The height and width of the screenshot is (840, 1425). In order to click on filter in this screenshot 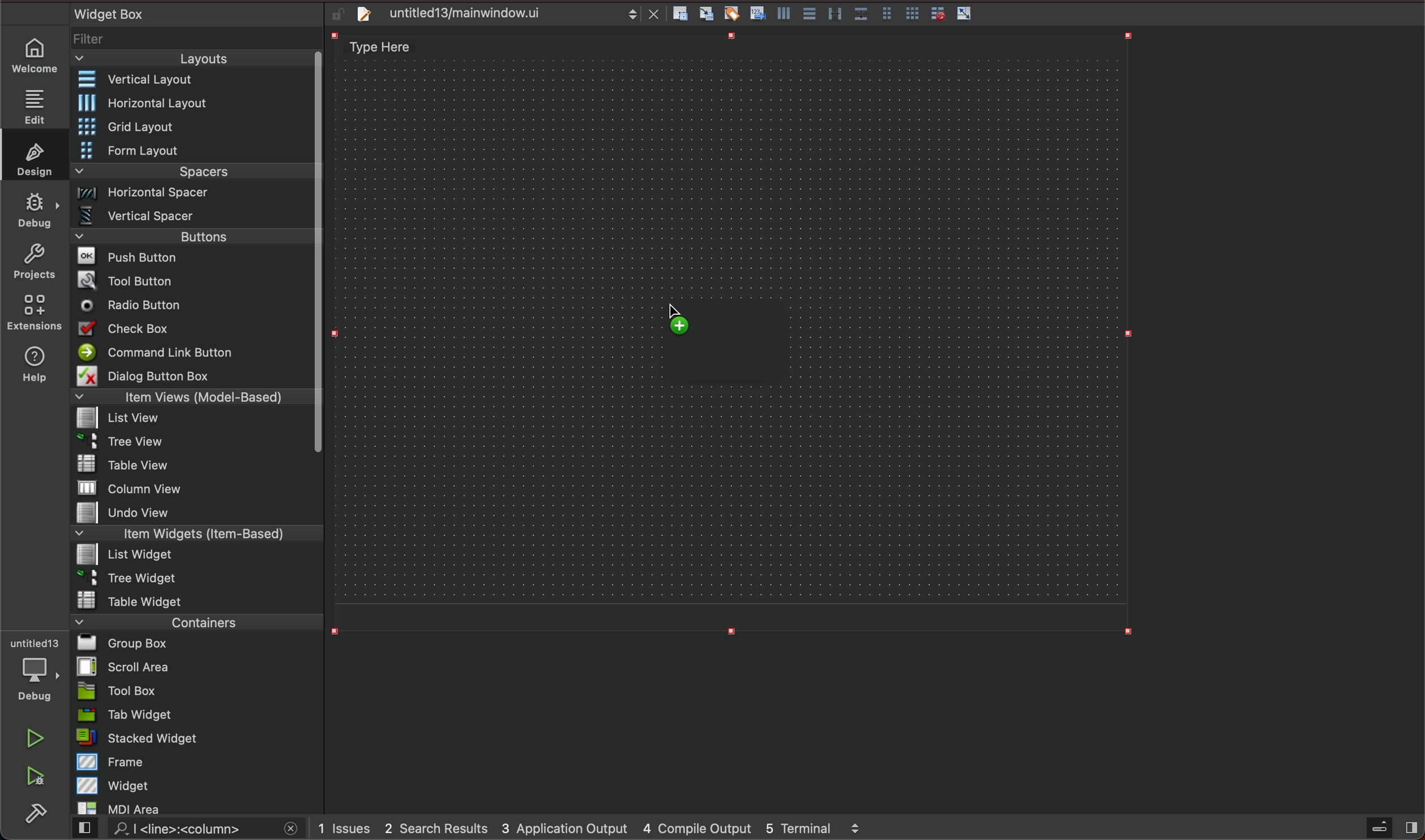, I will do `click(196, 39)`.